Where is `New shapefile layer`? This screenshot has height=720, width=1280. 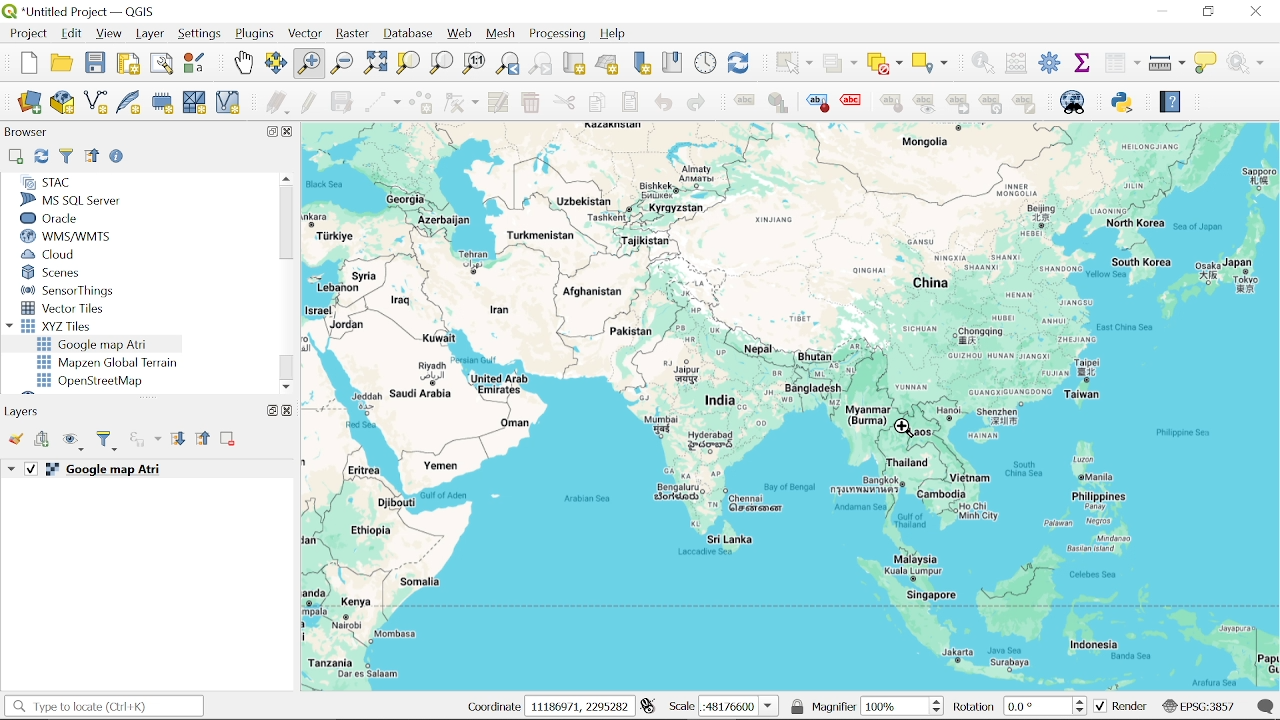
New shapefile layer is located at coordinates (95, 104).